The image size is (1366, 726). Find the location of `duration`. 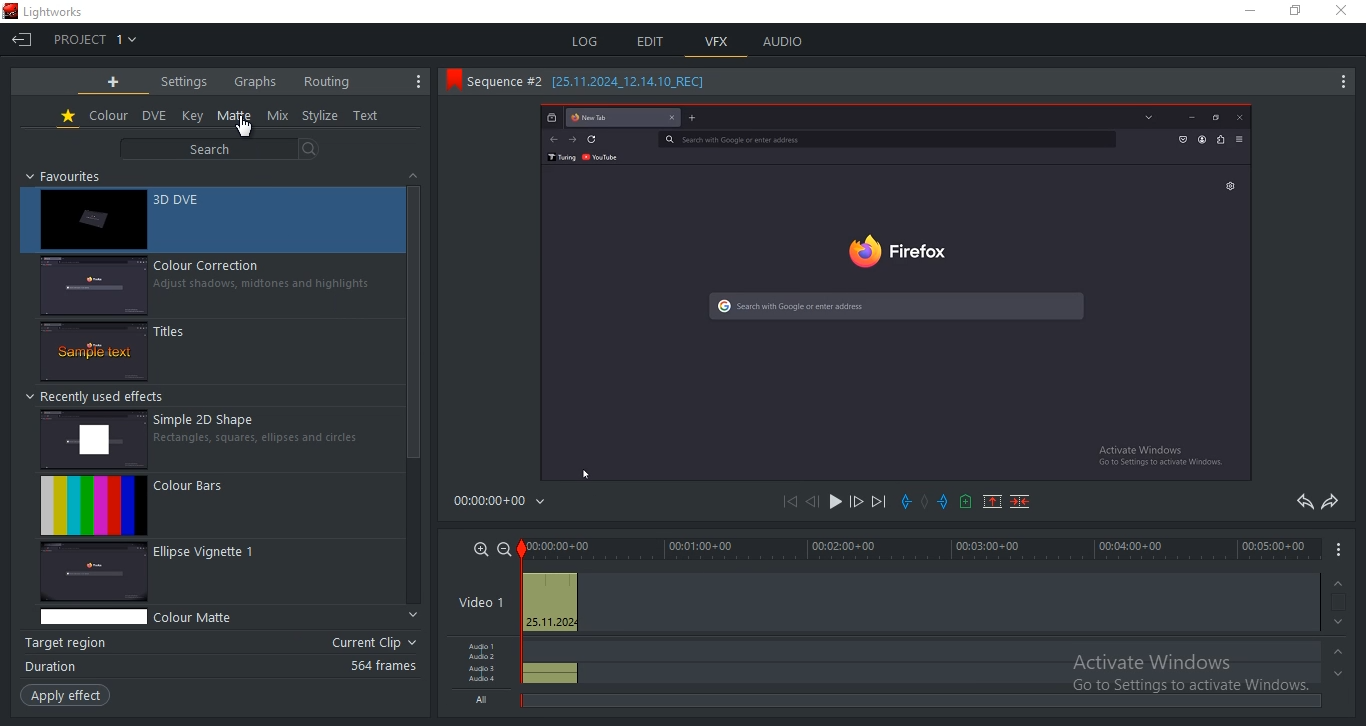

duration is located at coordinates (221, 666).